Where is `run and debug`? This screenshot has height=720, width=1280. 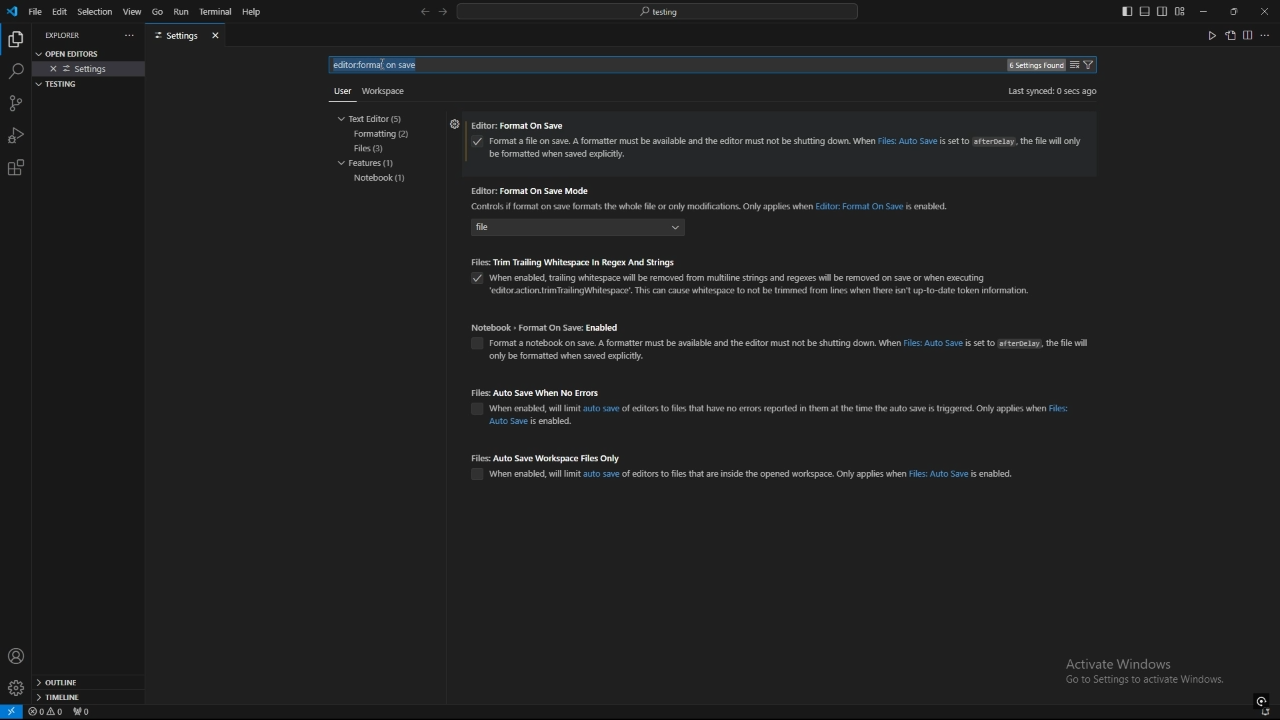
run and debug is located at coordinates (16, 135).